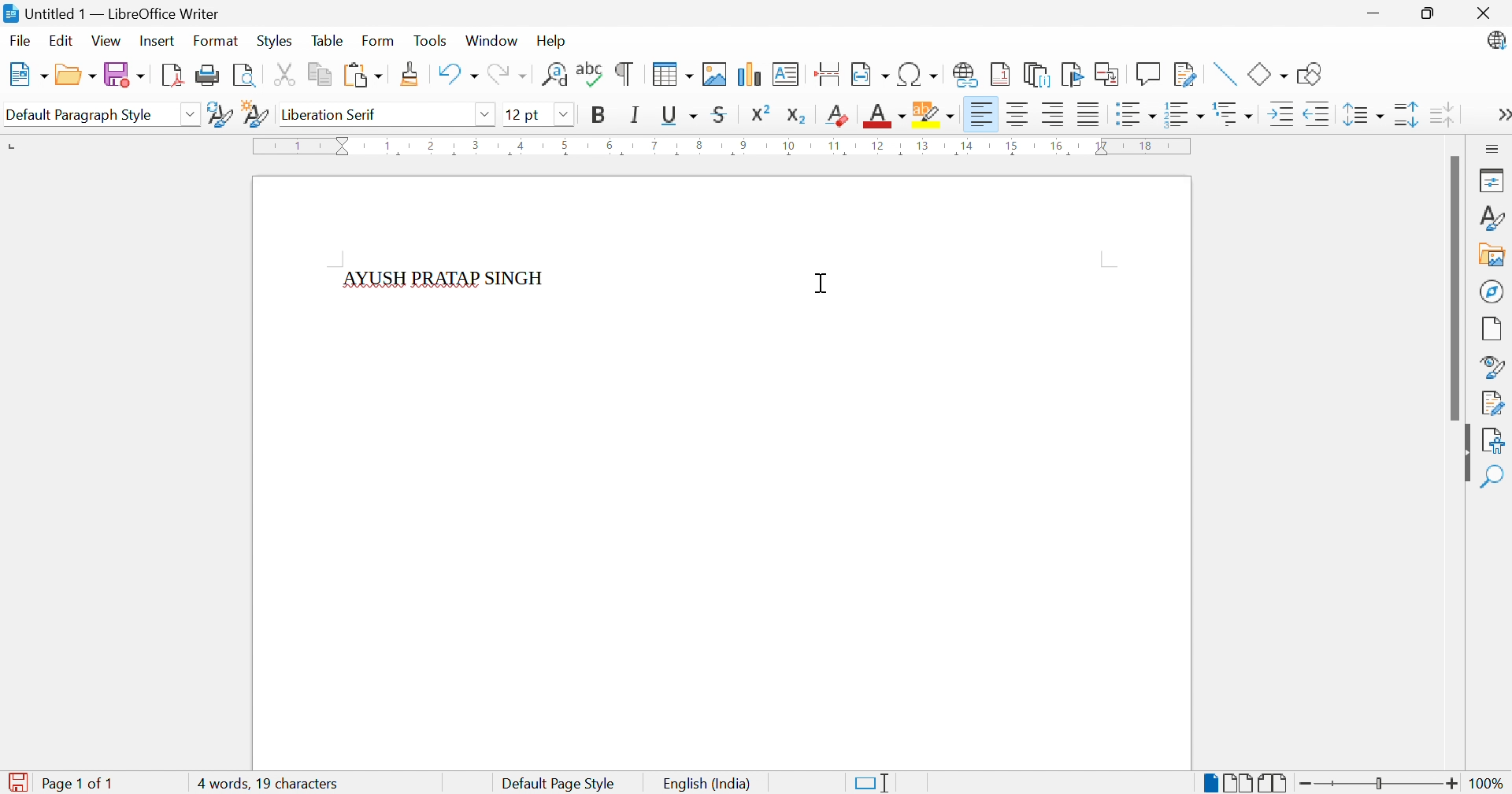  What do you see at coordinates (206, 76) in the screenshot?
I see `Print` at bounding box center [206, 76].